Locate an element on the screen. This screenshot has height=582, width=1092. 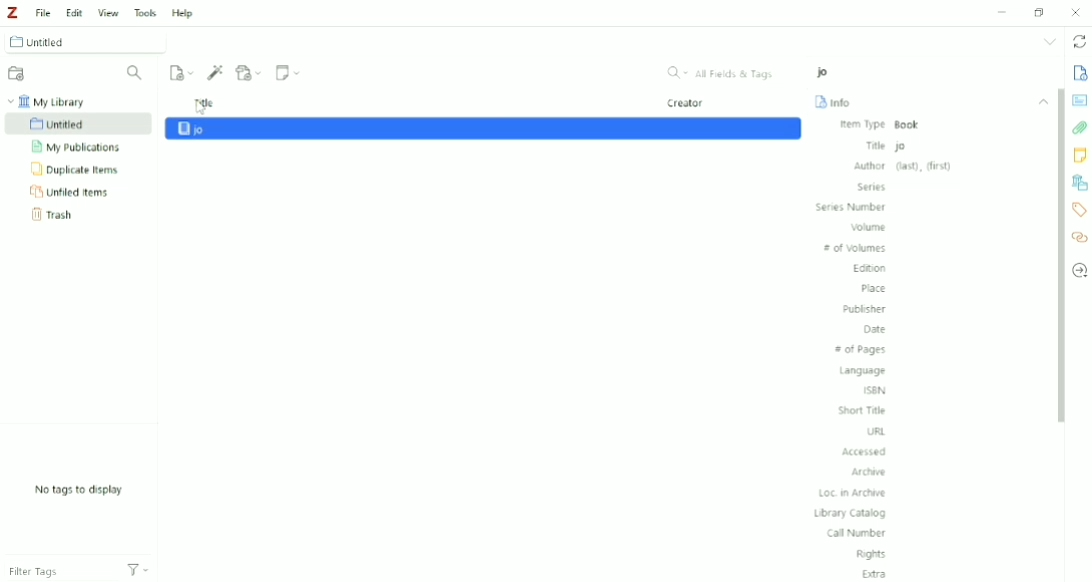
Related is located at coordinates (1079, 236).